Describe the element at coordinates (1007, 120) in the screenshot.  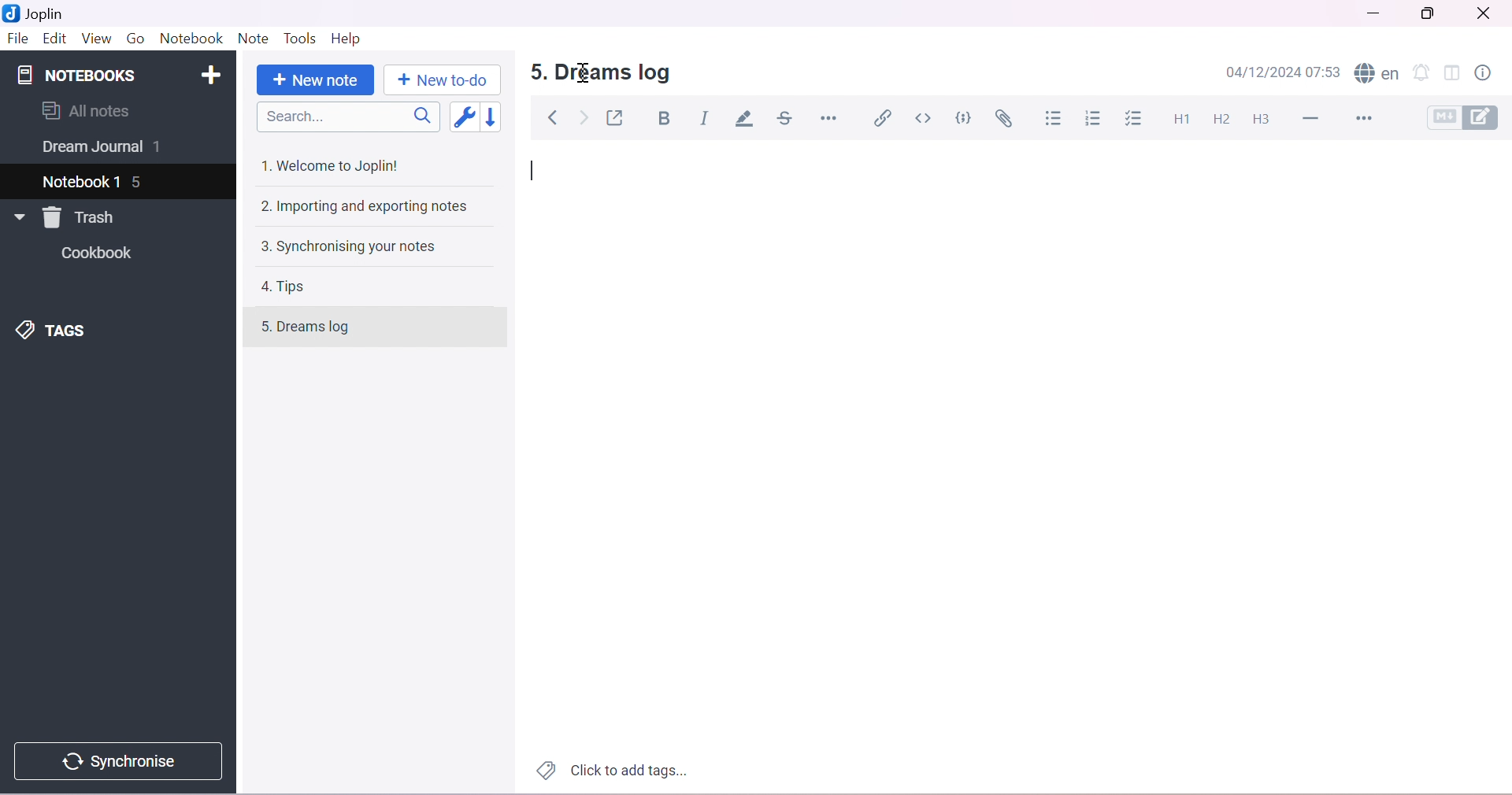
I see `Attach file` at that location.